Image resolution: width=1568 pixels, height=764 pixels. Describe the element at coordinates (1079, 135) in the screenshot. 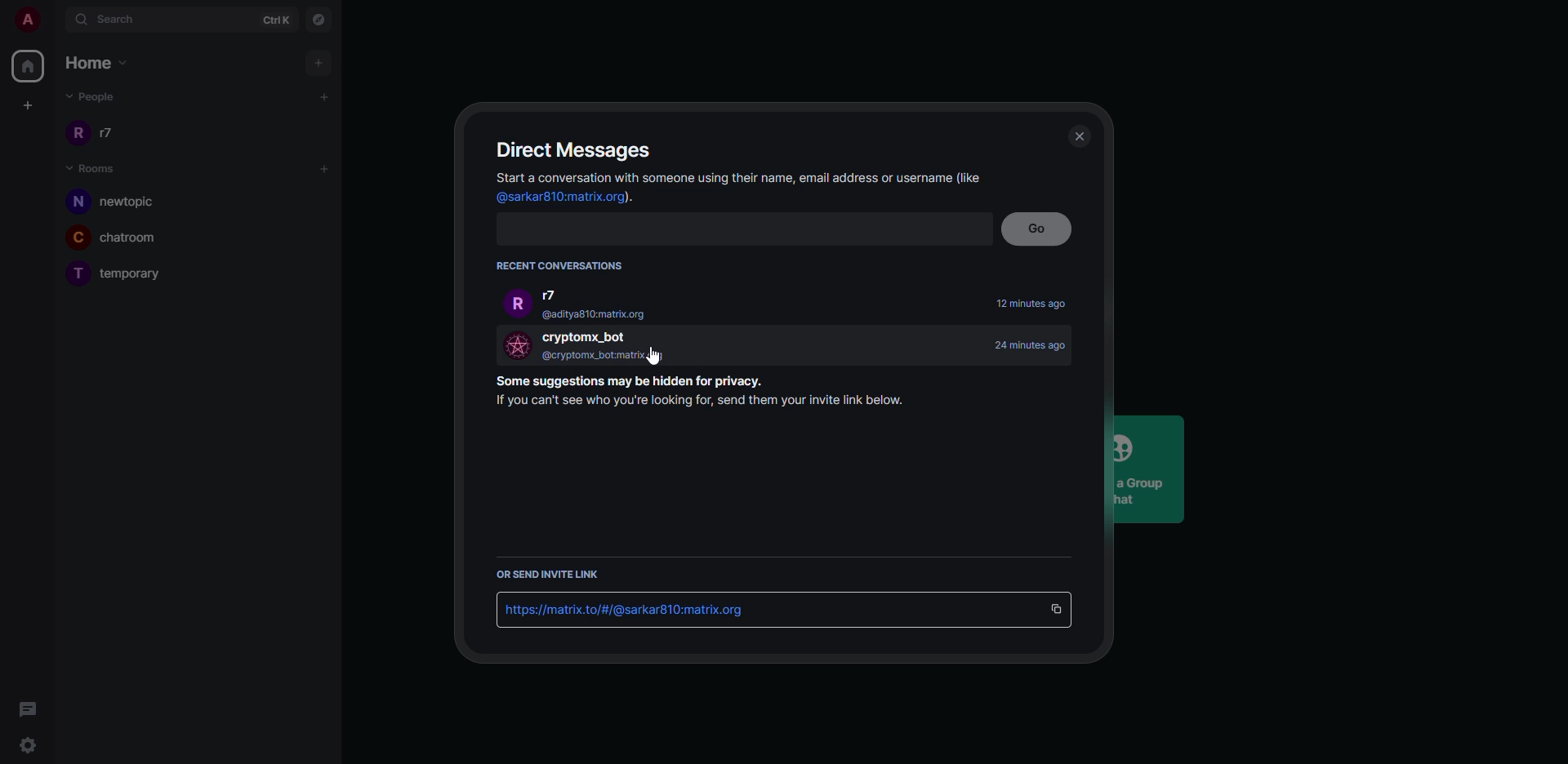

I see `close` at that location.